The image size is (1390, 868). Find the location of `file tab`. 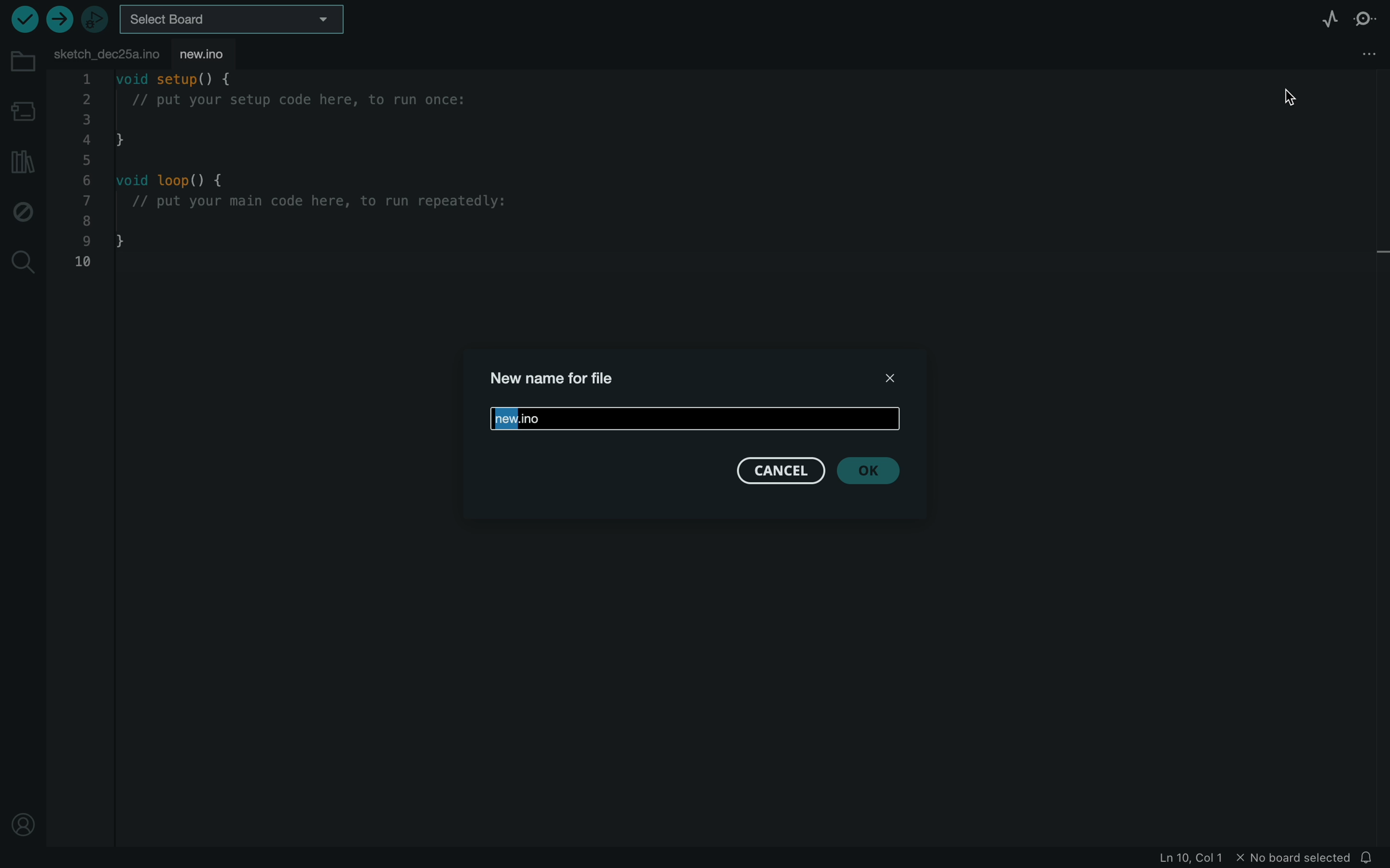

file tab is located at coordinates (106, 52).